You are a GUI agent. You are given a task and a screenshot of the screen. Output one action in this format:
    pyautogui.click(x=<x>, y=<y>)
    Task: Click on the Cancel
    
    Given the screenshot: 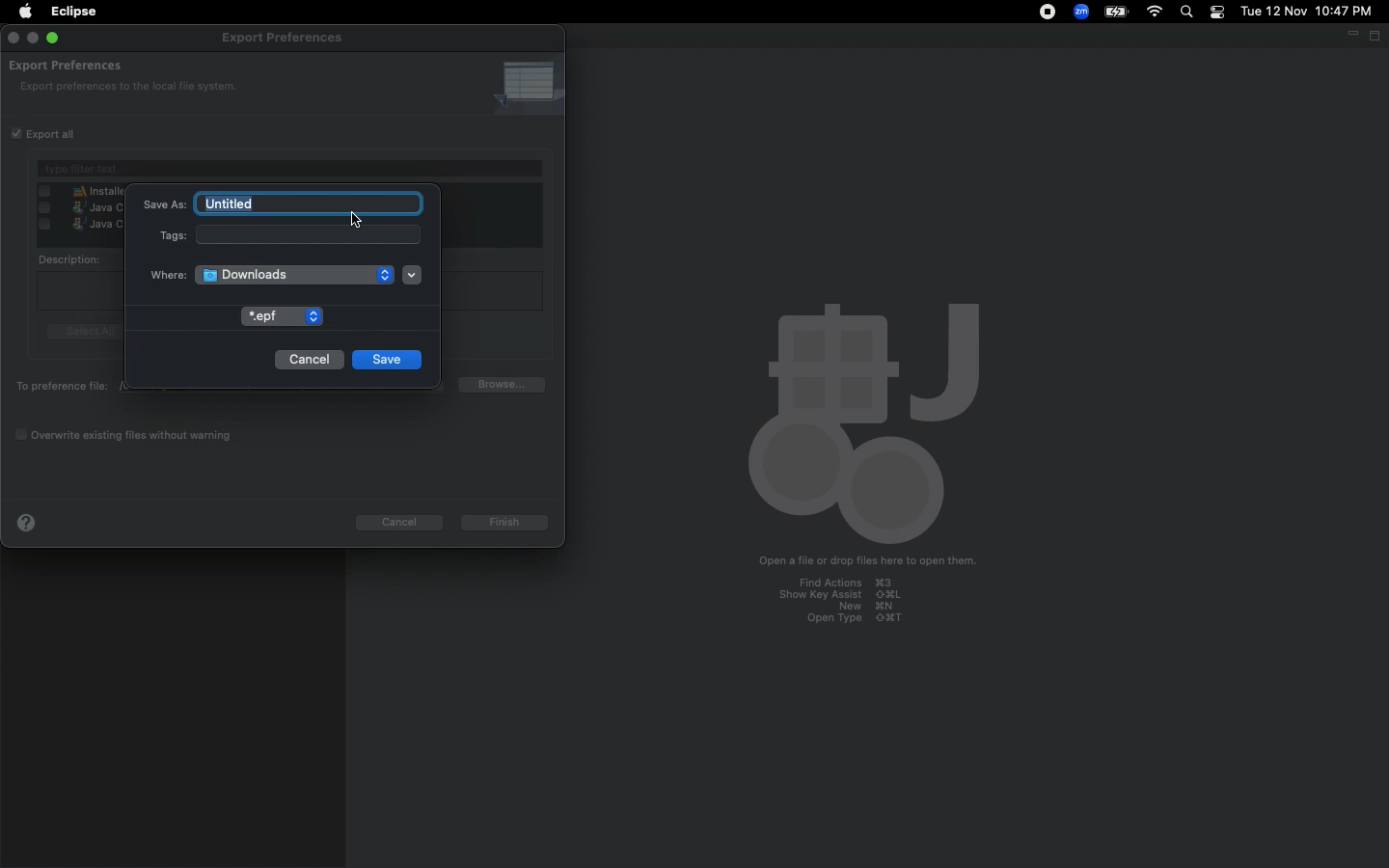 What is the action you would take?
    pyautogui.click(x=309, y=359)
    